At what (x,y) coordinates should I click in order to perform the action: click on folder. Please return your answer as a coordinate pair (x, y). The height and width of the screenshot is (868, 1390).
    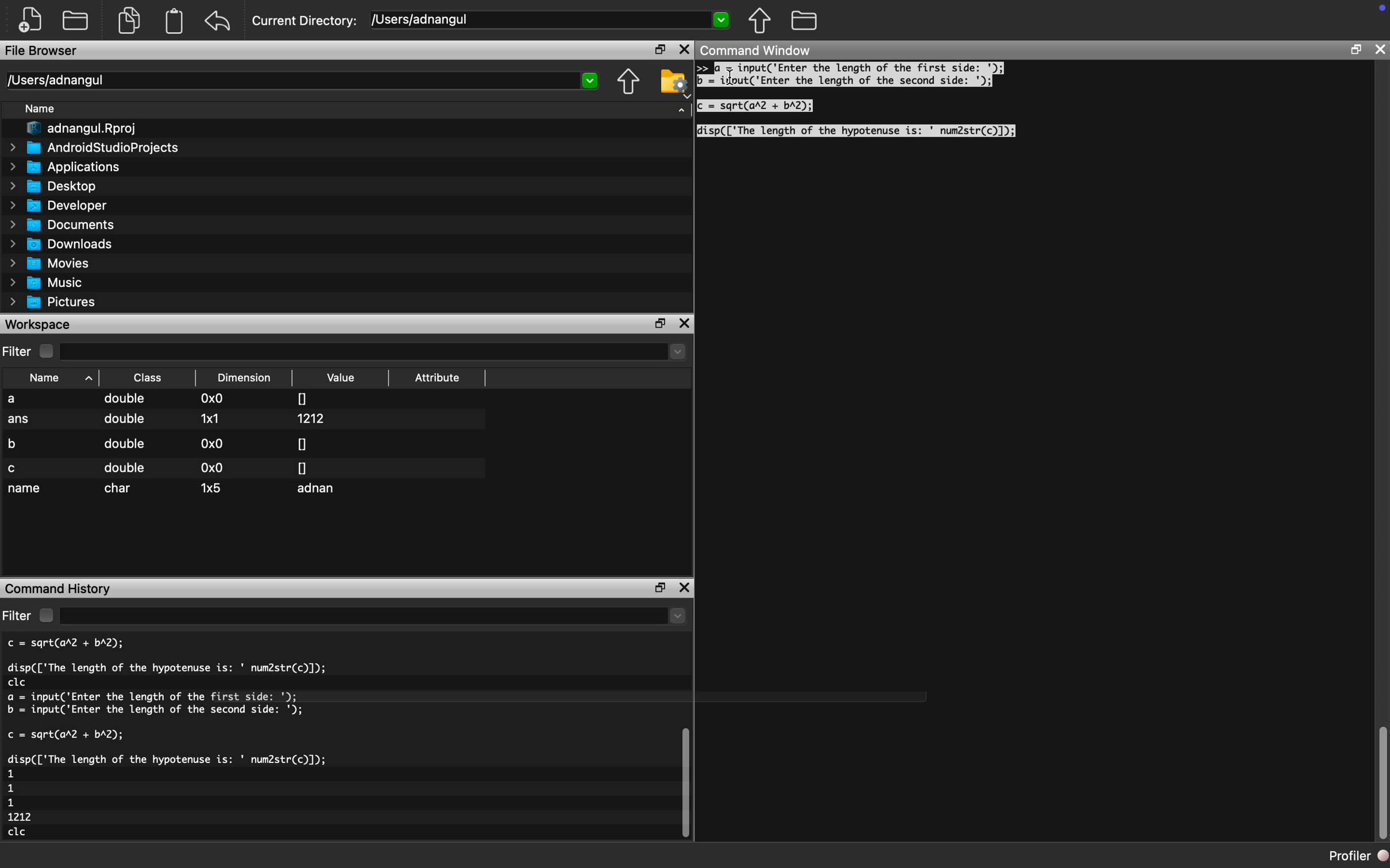
    Looking at the image, I should click on (804, 19).